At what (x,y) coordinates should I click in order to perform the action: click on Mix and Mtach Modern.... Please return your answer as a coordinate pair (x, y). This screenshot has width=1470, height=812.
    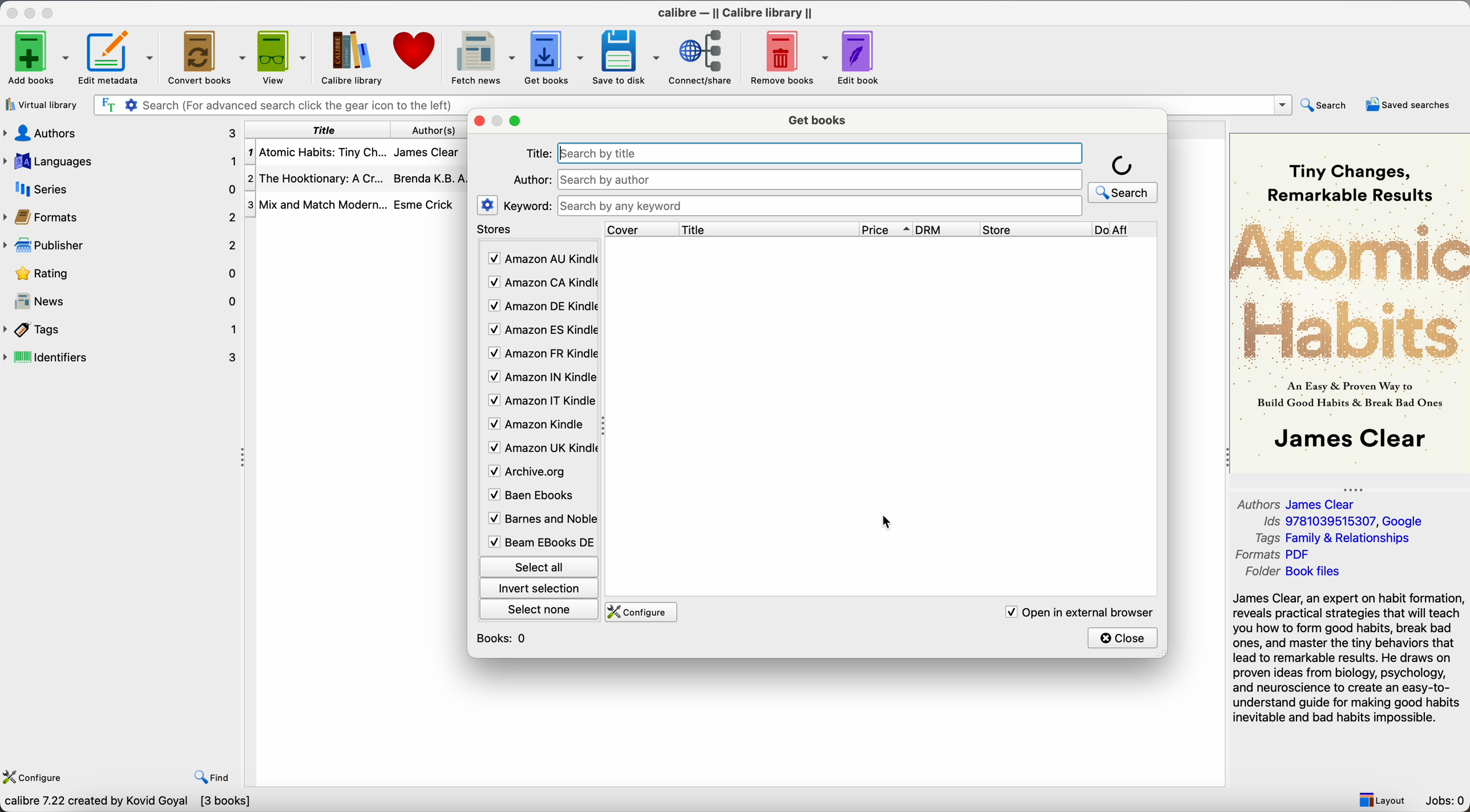
    Looking at the image, I should click on (315, 204).